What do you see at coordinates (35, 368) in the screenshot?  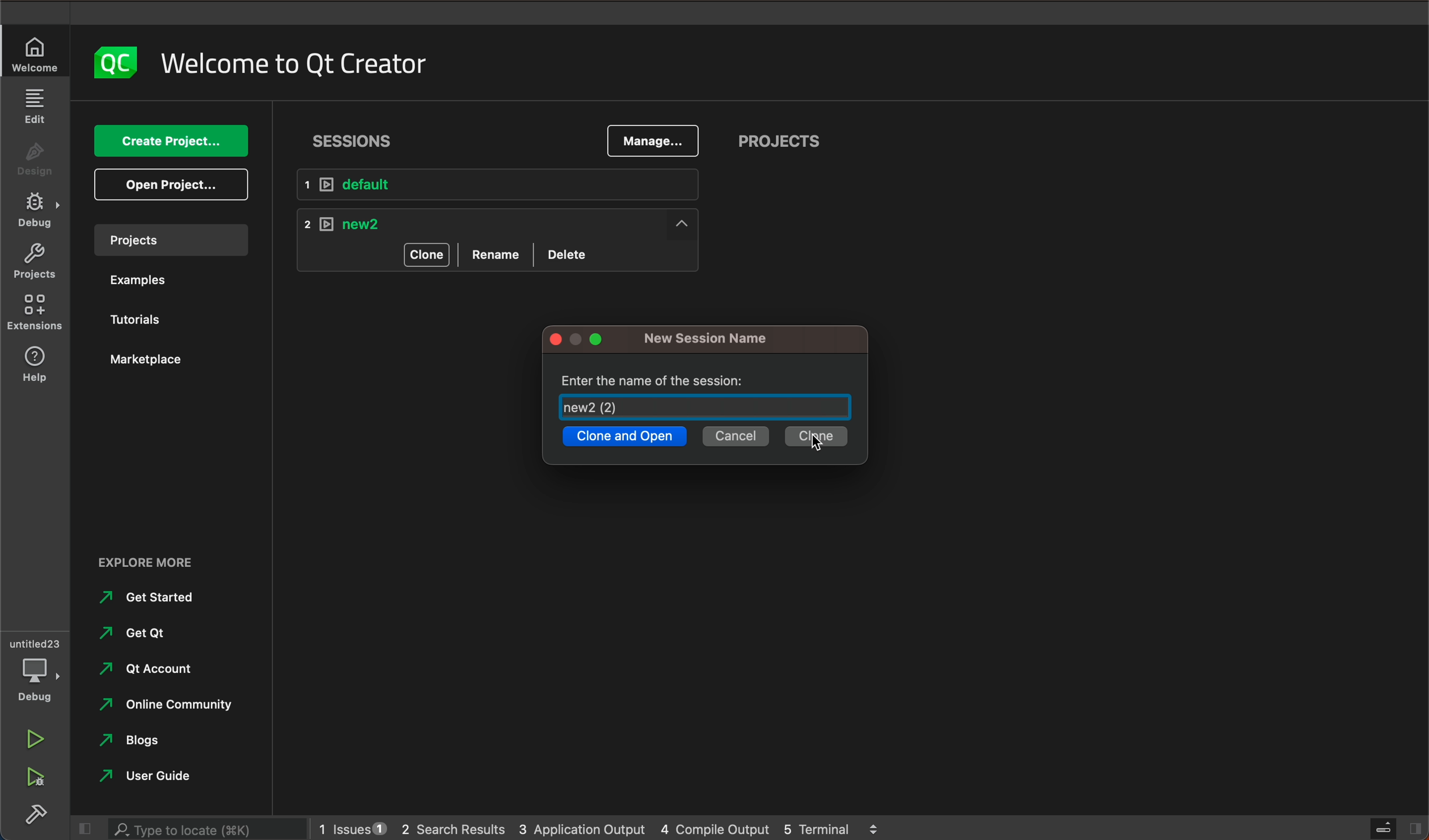 I see `help` at bounding box center [35, 368].